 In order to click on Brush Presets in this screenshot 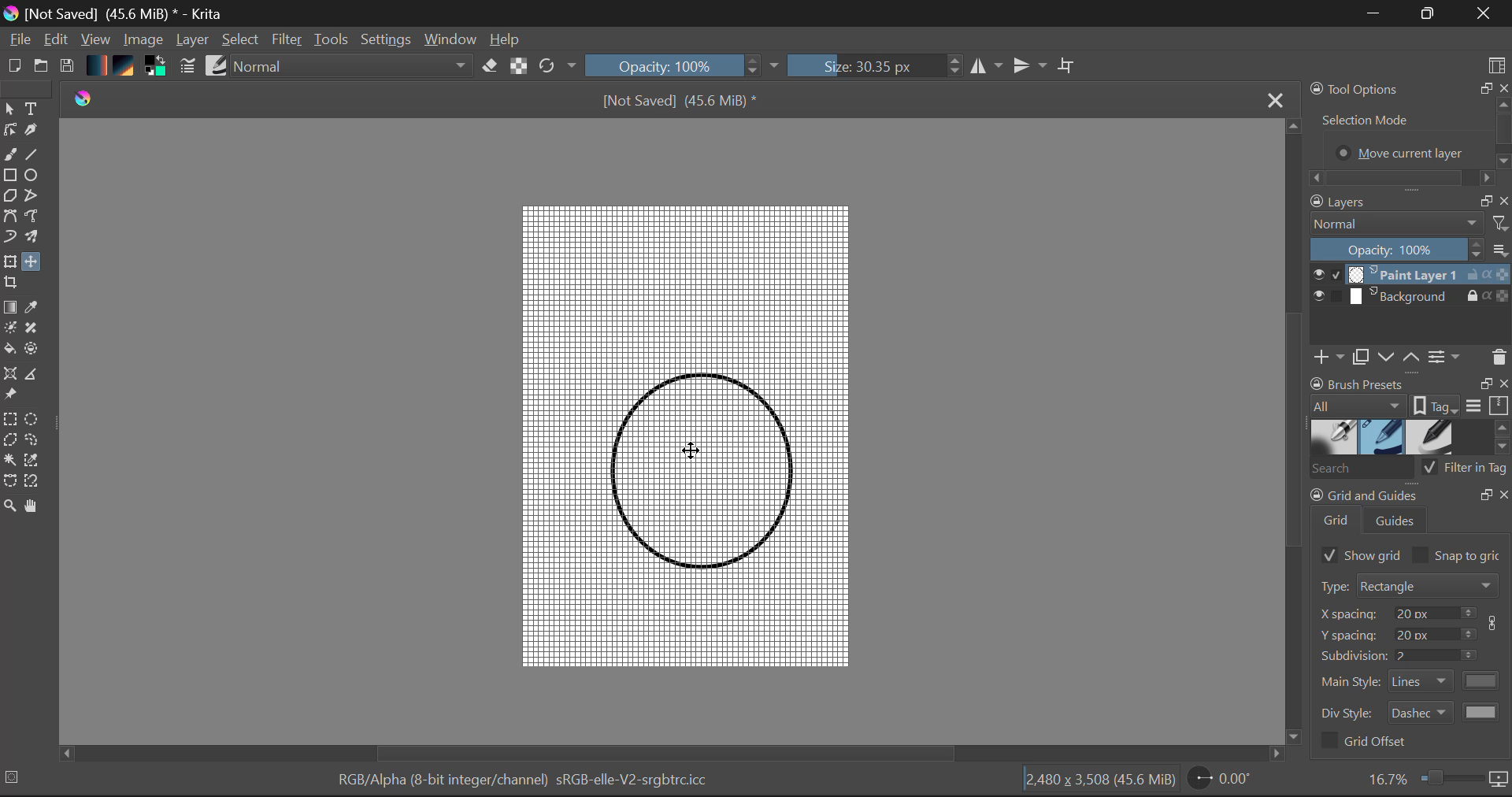, I will do `click(1410, 437)`.